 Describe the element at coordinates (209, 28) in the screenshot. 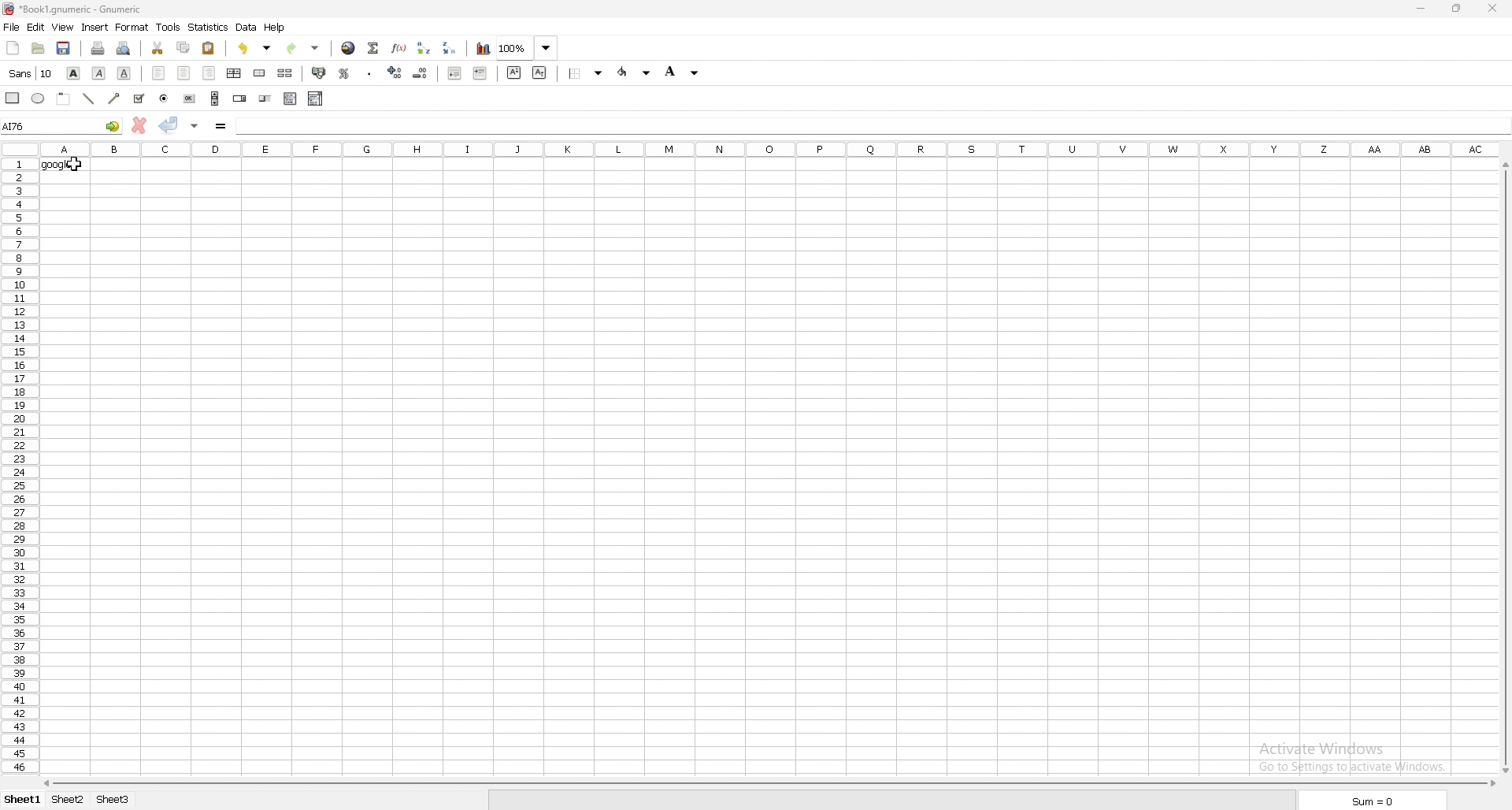

I see `statistics` at that location.